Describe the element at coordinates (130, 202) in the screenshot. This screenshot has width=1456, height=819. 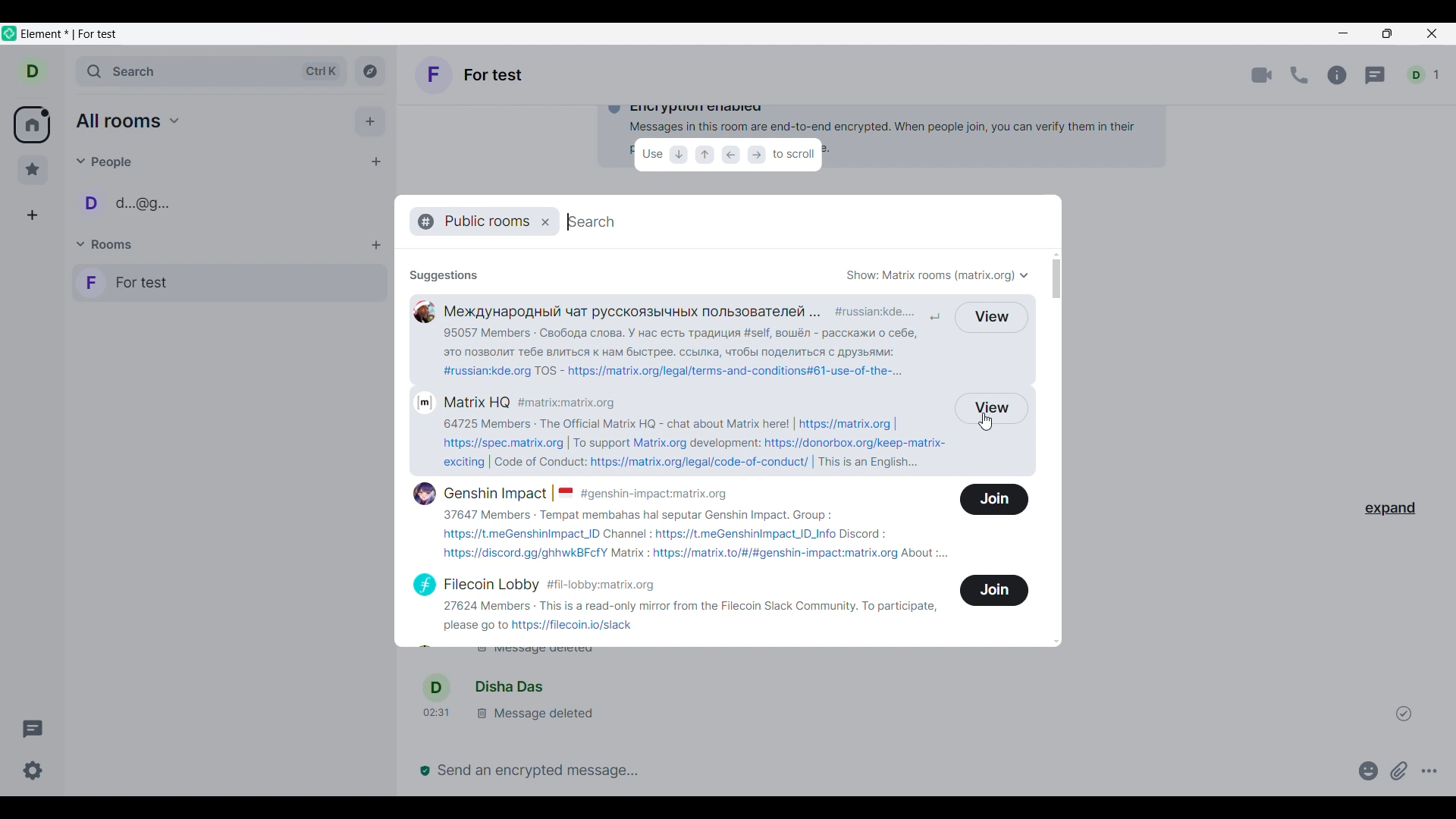
I see `Account under people` at that location.